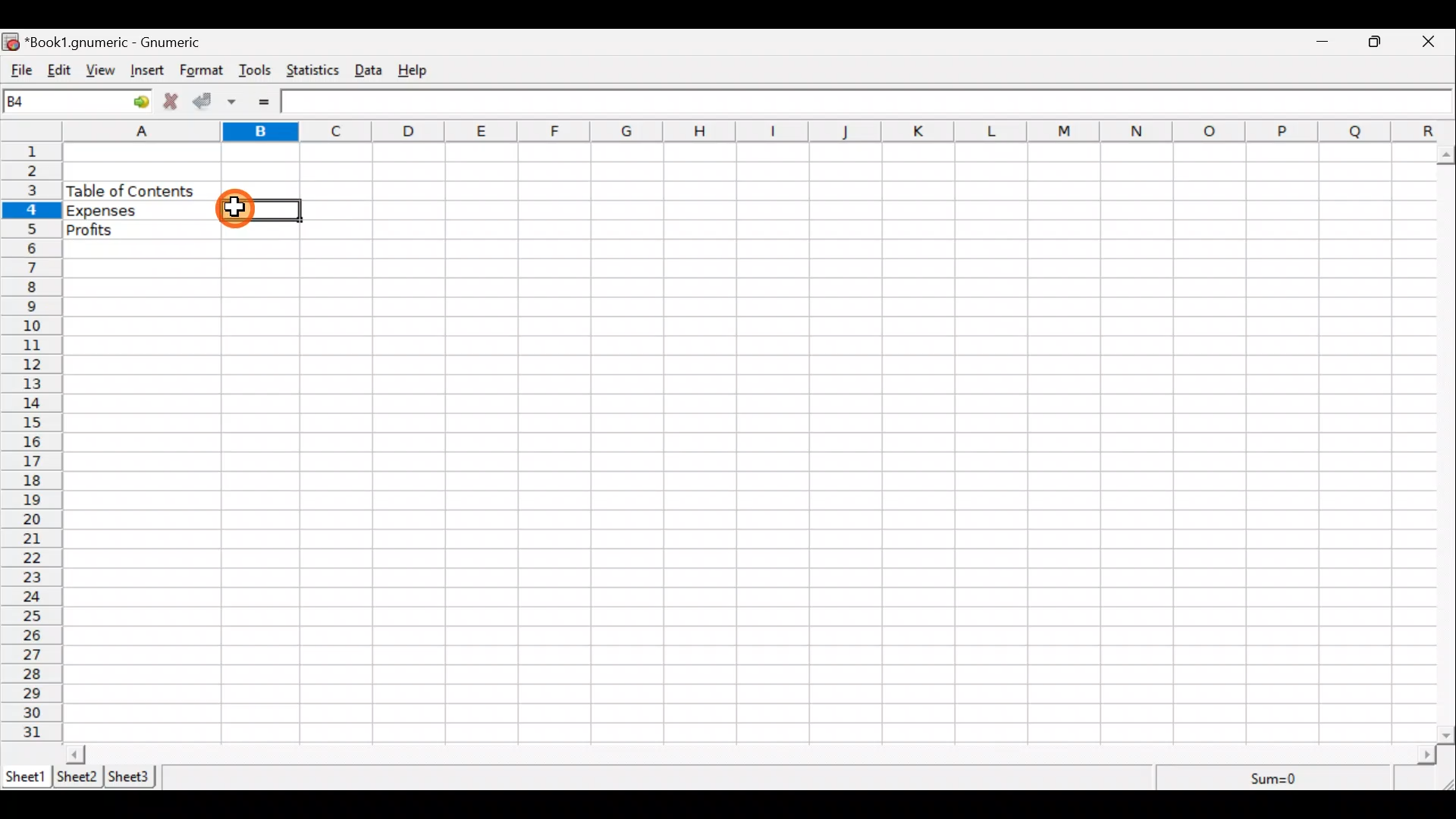 The width and height of the screenshot is (1456, 819). What do you see at coordinates (1379, 42) in the screenshot?
I see `Maximize/Minimize` at bounding box center [1379, 42].